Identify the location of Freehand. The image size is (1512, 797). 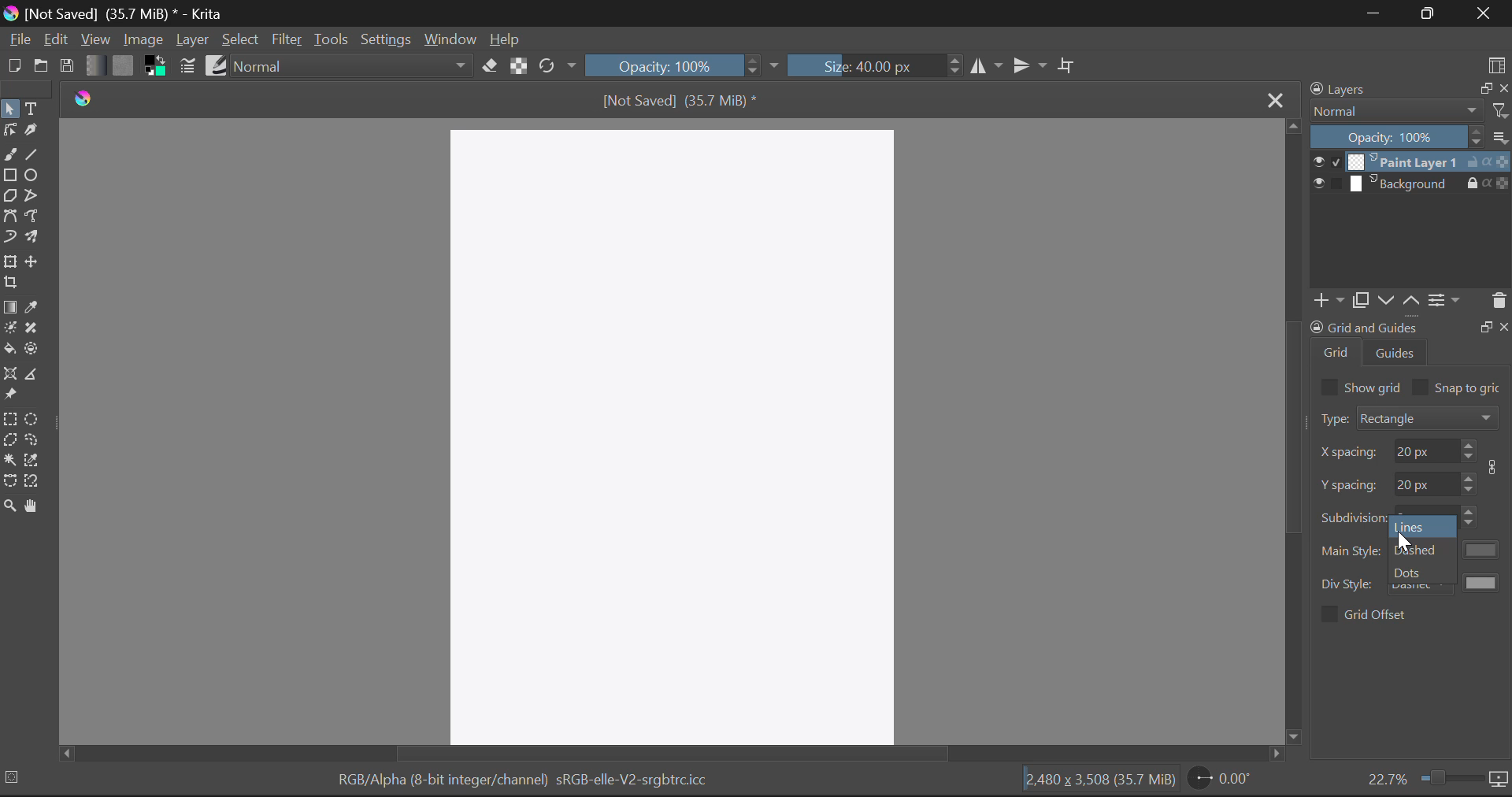
(9, 155).